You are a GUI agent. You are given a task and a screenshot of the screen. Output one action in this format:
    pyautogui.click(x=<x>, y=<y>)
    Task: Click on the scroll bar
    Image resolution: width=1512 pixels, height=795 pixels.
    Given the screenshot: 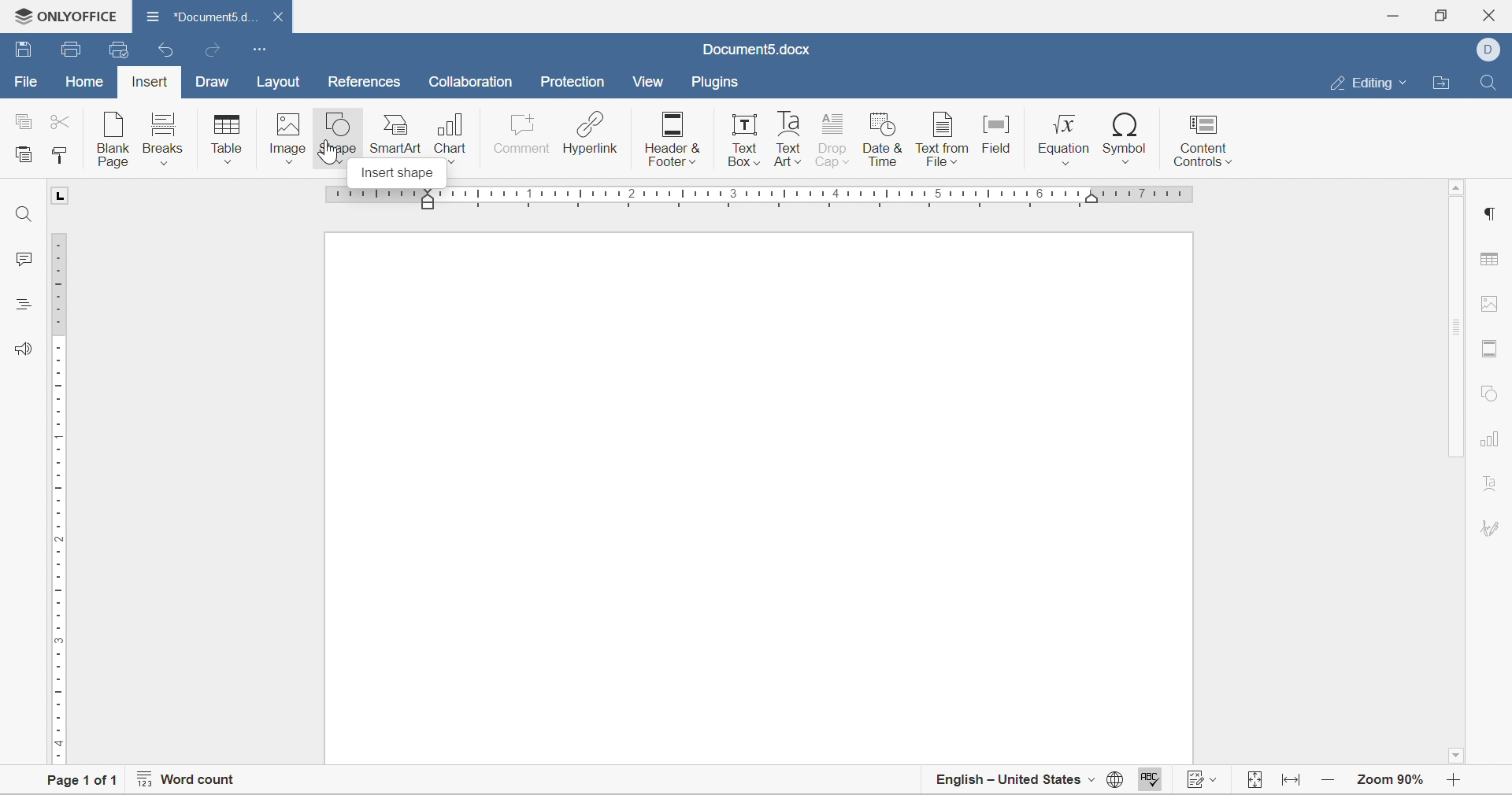 What is the action you would take?
    pyautogui.click(x=1458, y=326)
    